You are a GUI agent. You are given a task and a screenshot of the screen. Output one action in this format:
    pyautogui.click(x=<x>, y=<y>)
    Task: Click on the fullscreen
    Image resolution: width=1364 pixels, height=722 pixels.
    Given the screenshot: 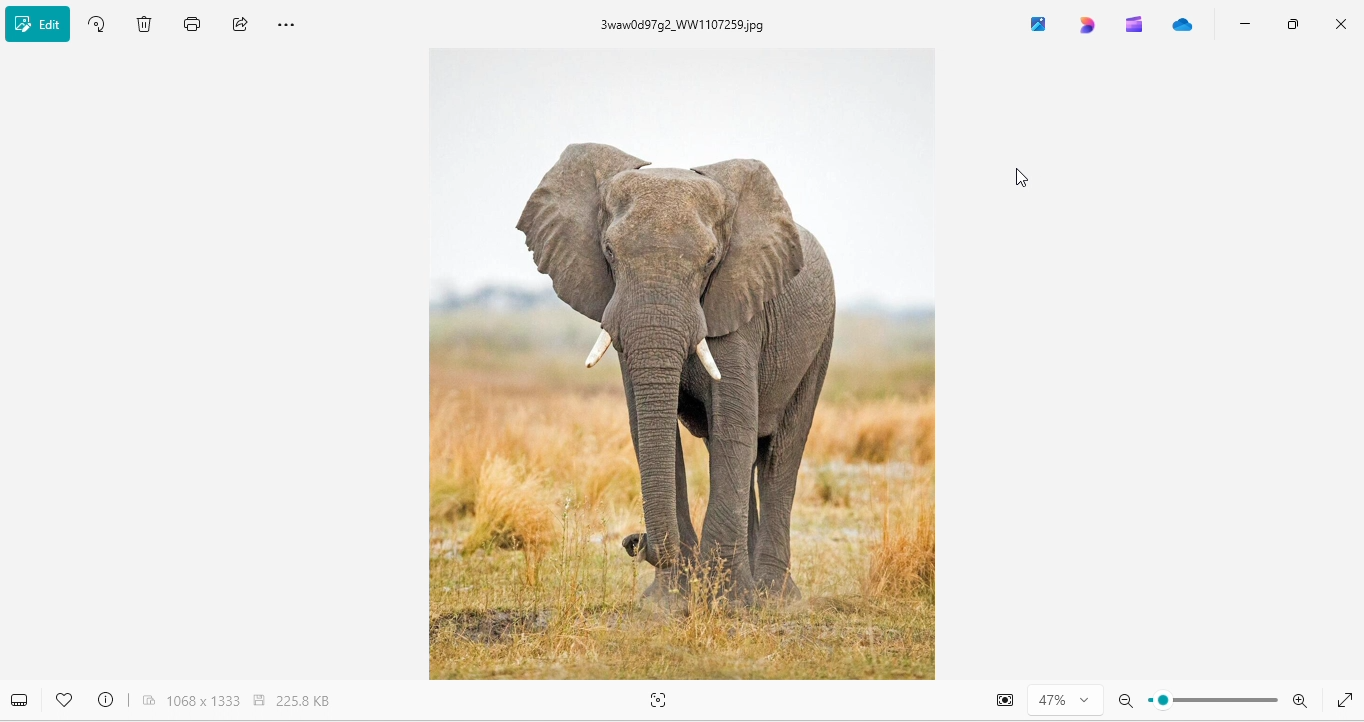 What is the action you would take?
    pyautogui.click(x=1345, y=702)
    